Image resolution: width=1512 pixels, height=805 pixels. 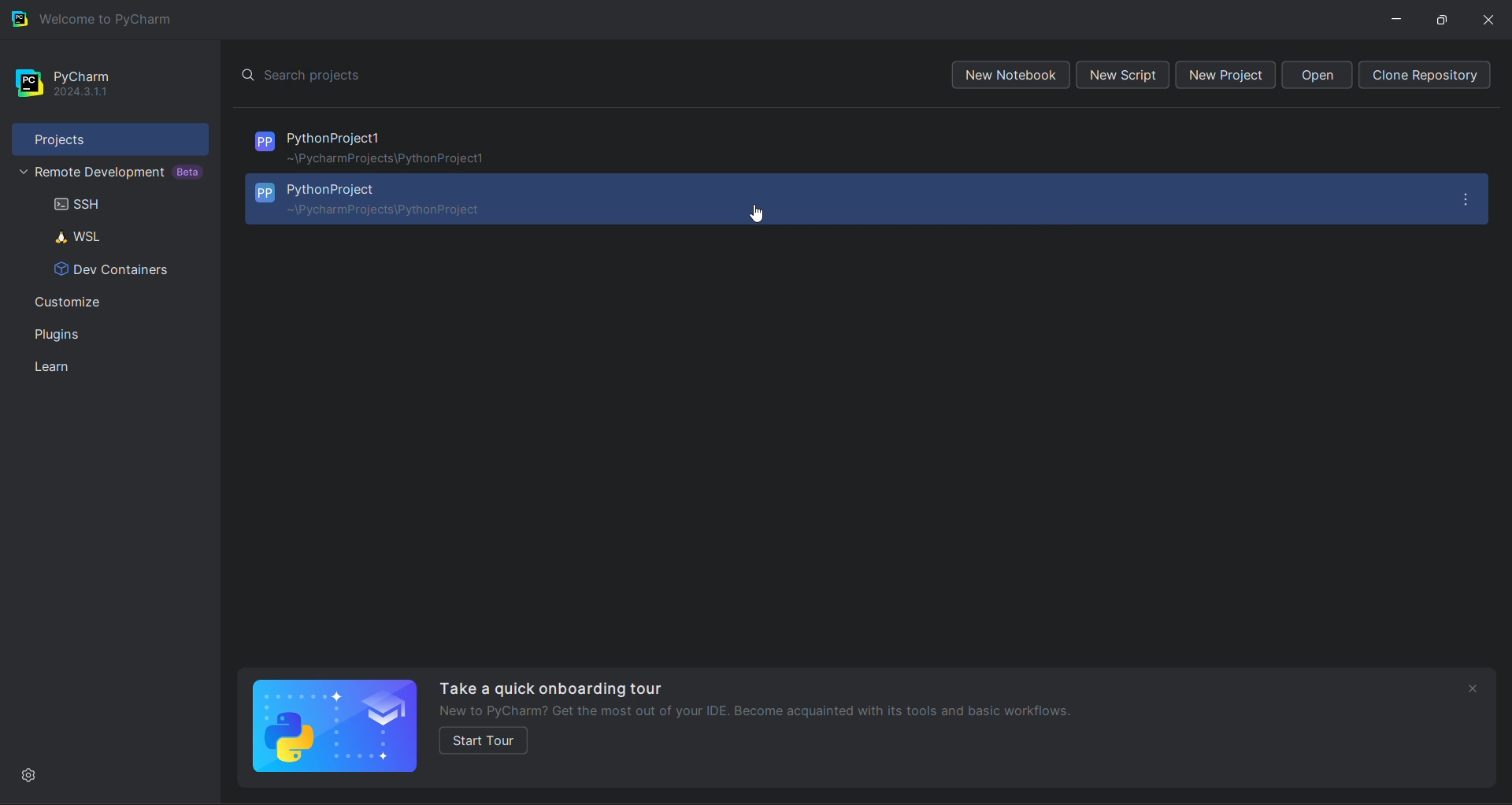 I want to click on opuions, so click(x=1470, y=197).